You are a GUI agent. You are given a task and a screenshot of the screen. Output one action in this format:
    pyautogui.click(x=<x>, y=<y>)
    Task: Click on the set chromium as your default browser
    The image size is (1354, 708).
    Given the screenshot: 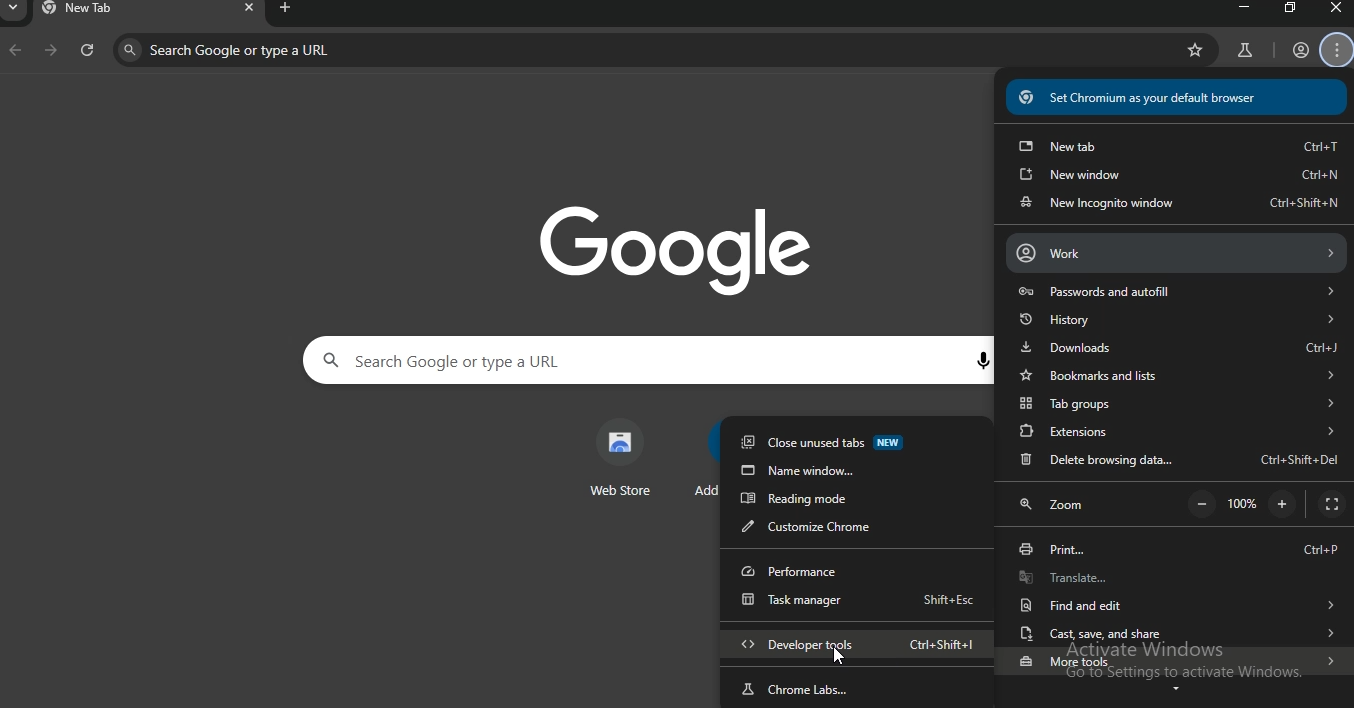 What is the action you would take?
    pyautogui.click(x=1178, y=99)
    